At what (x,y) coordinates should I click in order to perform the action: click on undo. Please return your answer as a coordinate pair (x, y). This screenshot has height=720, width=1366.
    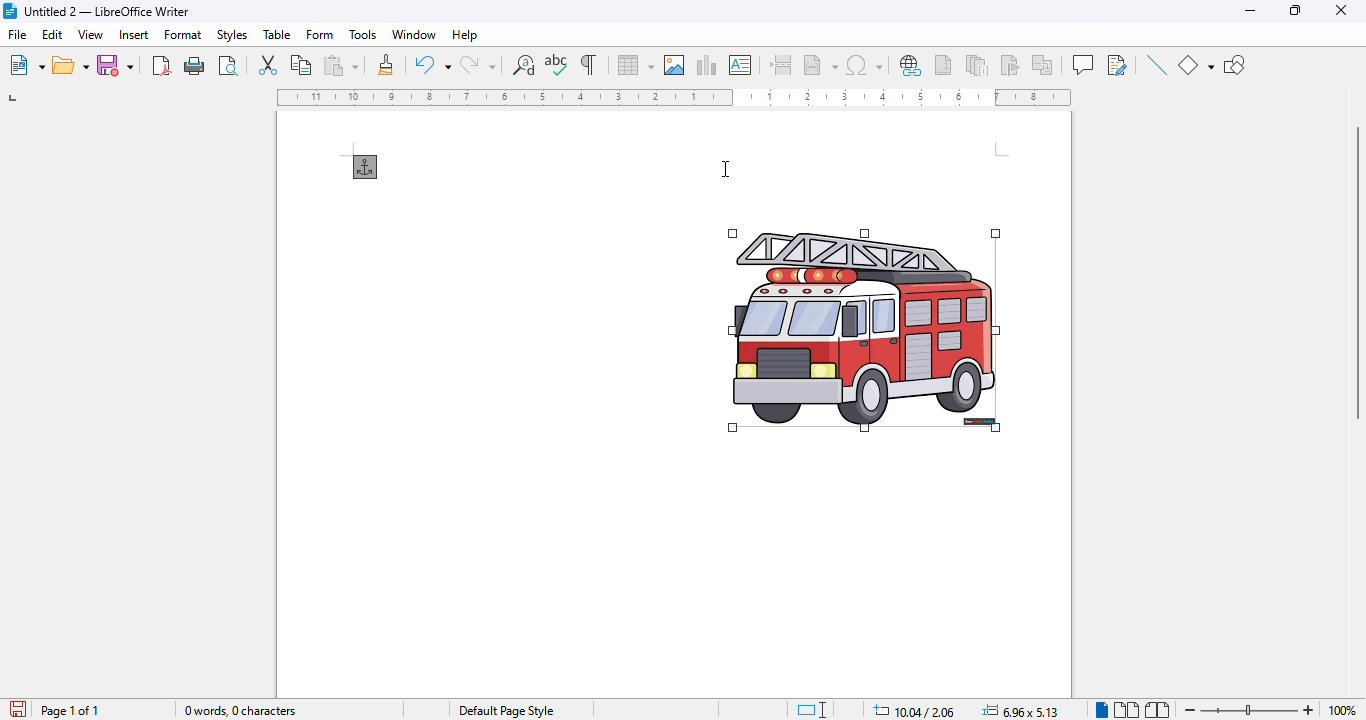
    Looking at the image, I should click on (433, 64).